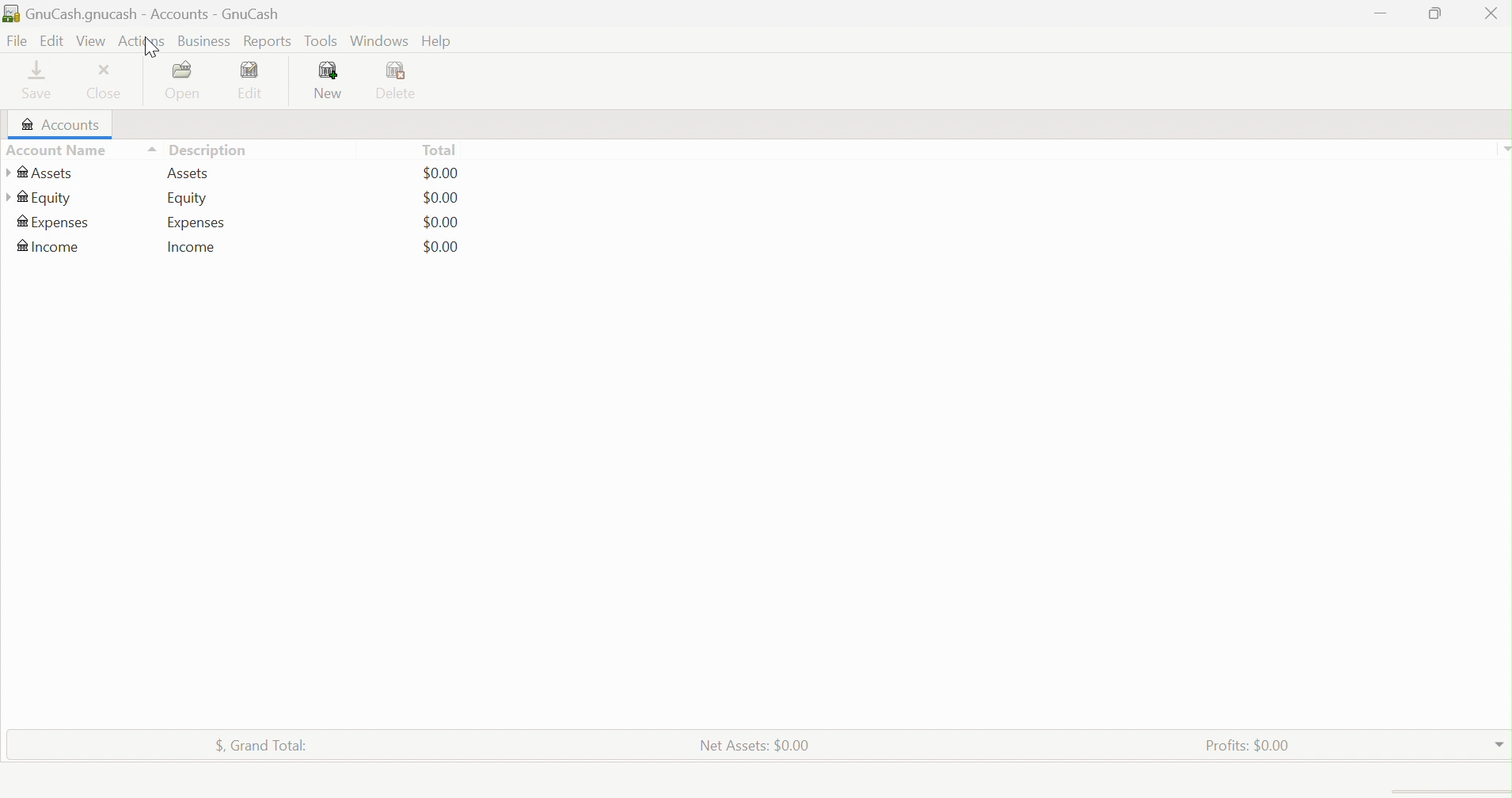 The image size is (1512, 798). I want to click on $0.00, so click(441, 222).